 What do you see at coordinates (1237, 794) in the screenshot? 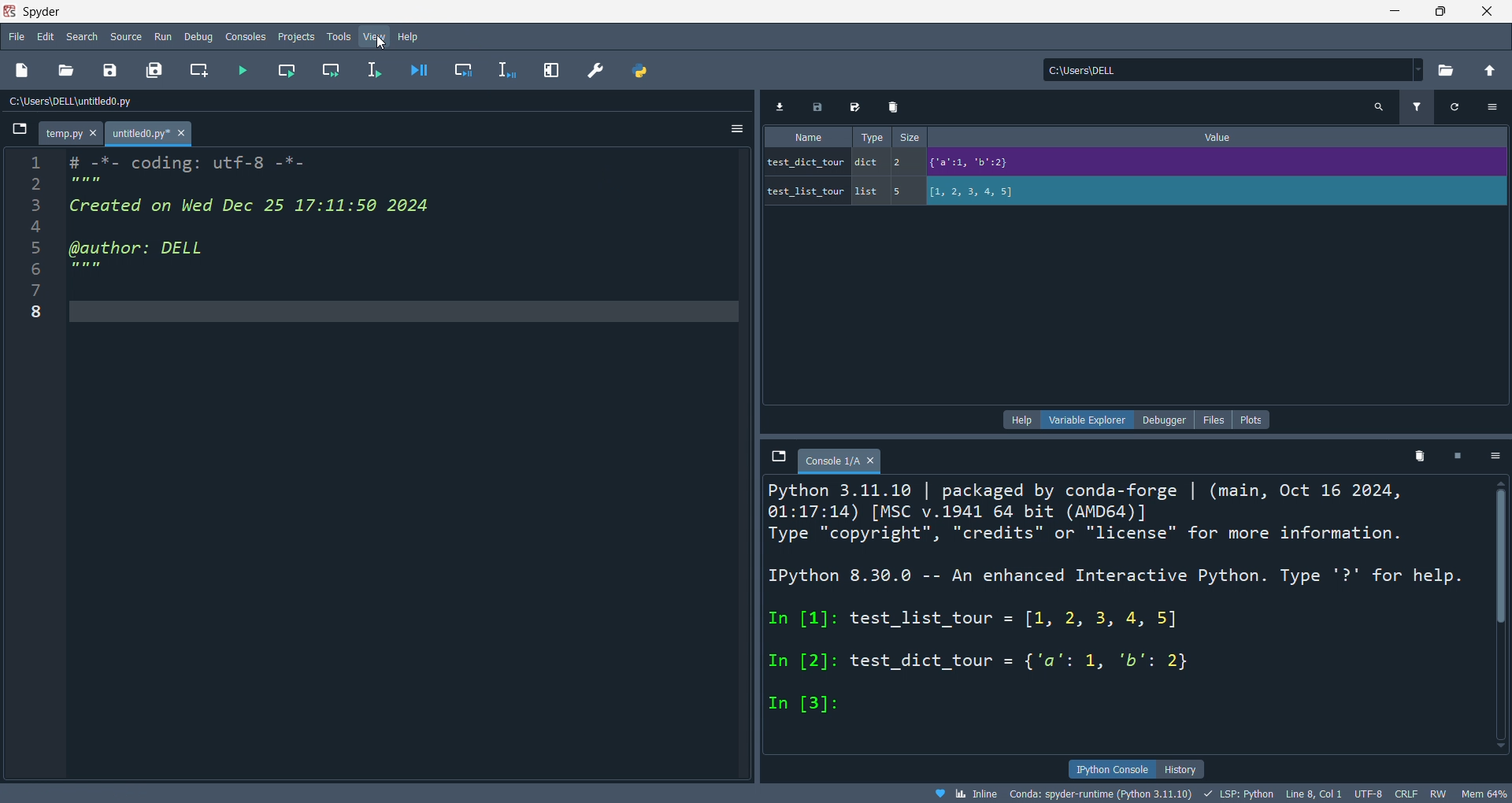
I see `language` at bounding box center [1237, 794].